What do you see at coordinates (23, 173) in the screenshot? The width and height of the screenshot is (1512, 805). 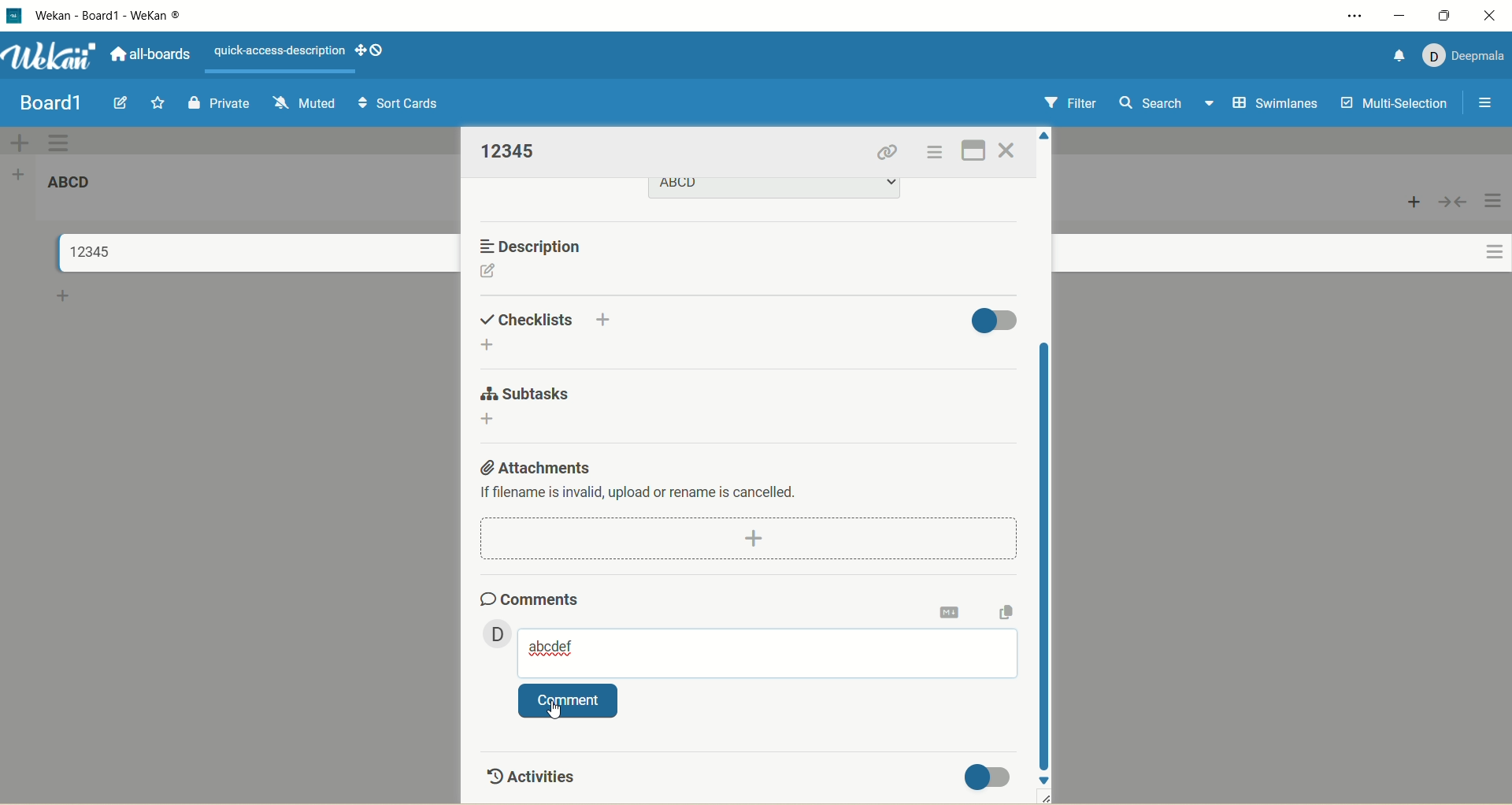 I see `add list` at bounding box center [23, 173].